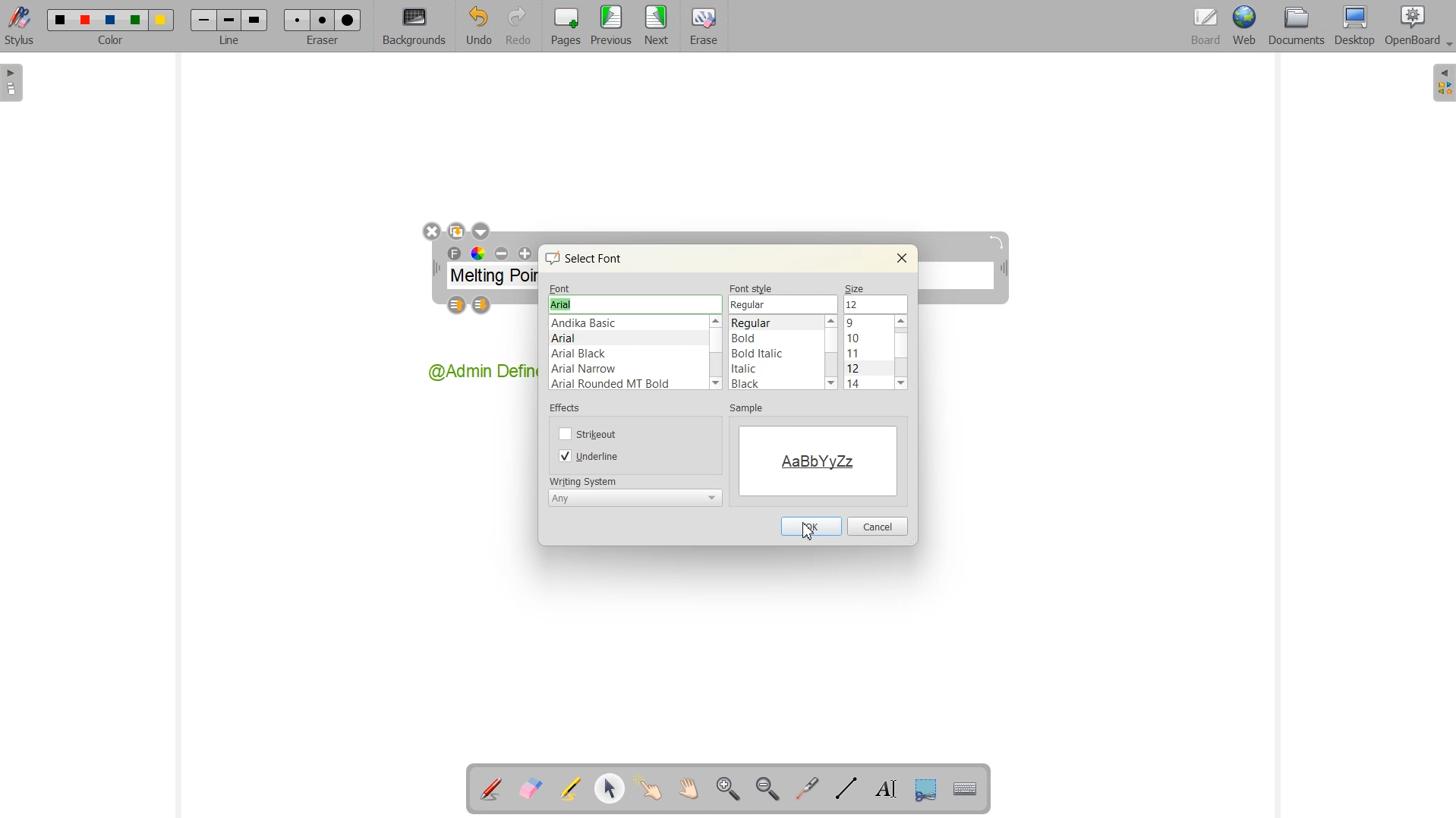 Image resolution: width=1456 pixels, height=818 pixels. I want to click on Redo, so click(518, 26).